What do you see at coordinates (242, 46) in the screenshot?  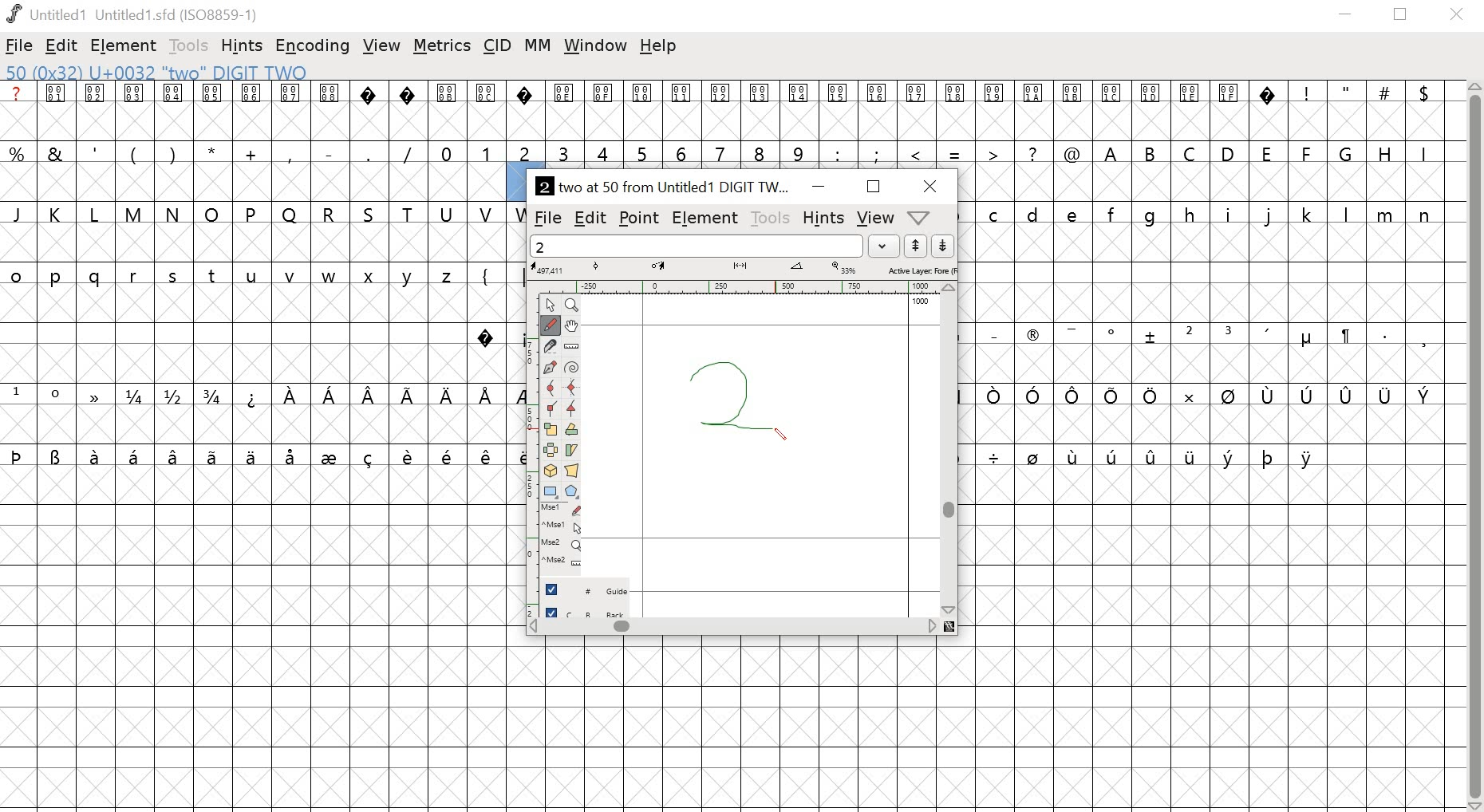 I see `hints` at bounding box center [242, 46].